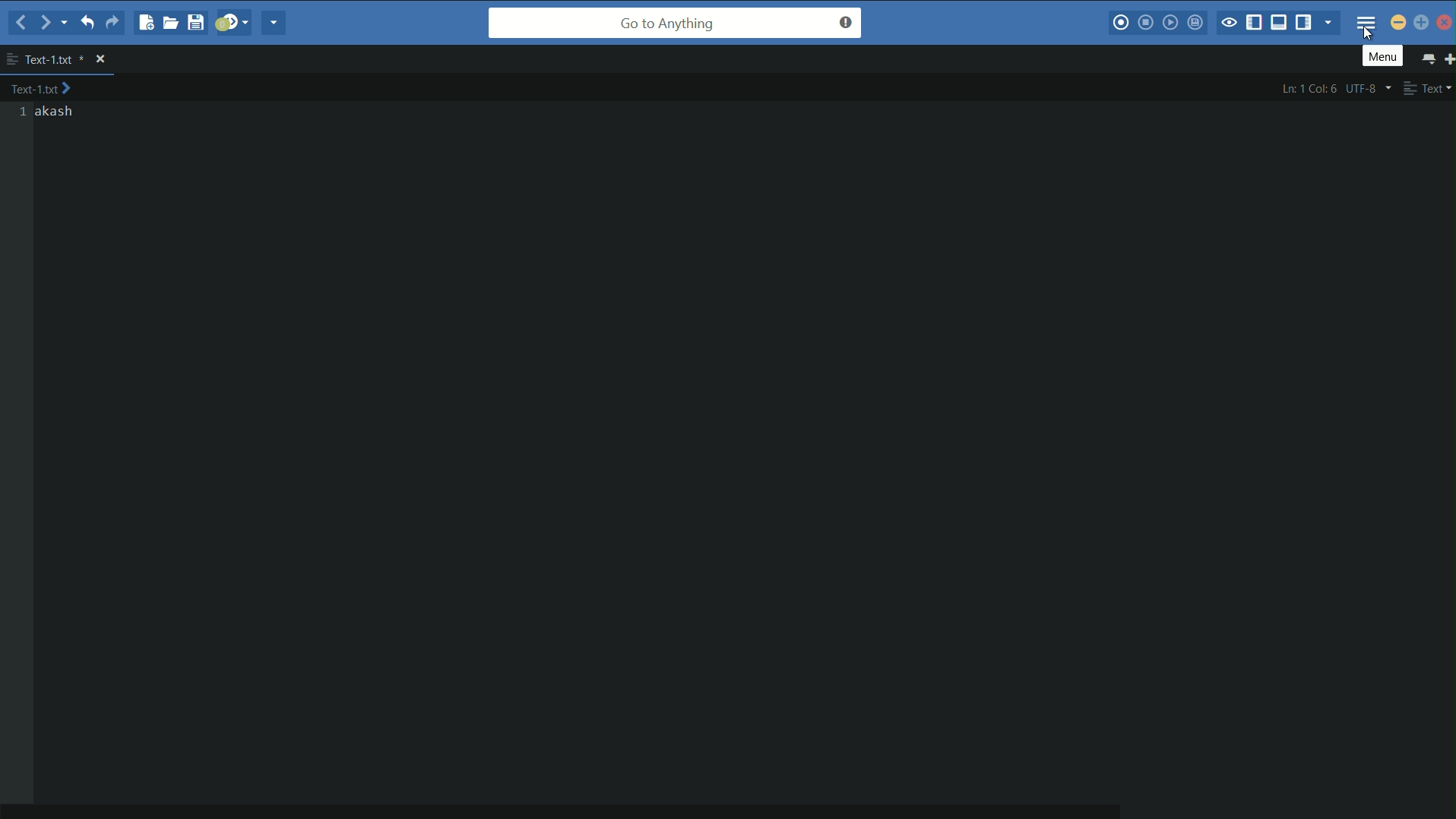 The height and width of the screenshot is (819, 1456). I want to click on show/hide left panel, so click(1255, 24).